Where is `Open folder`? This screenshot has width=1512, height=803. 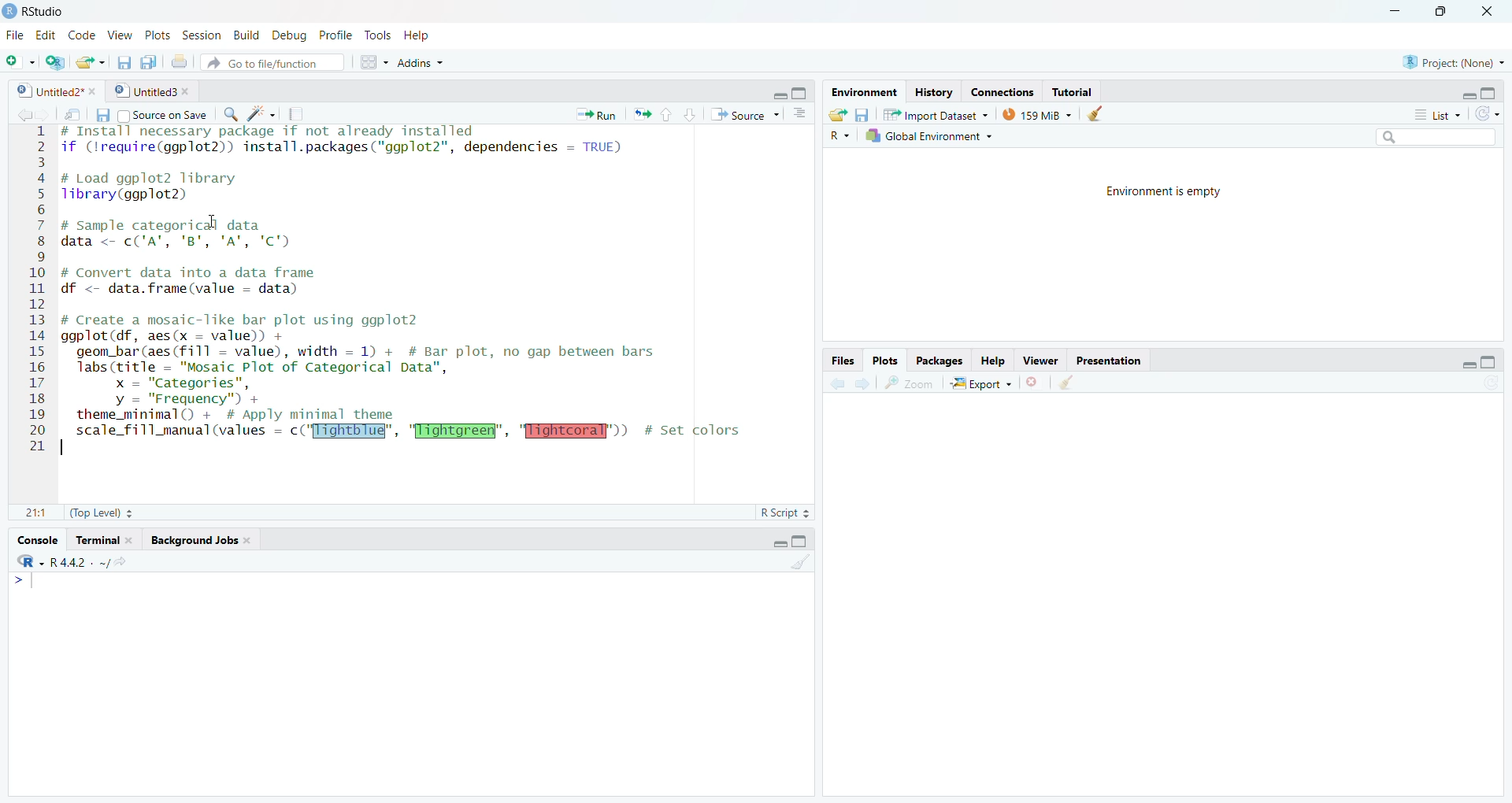 Open folder is located at coordinates (839, 115).